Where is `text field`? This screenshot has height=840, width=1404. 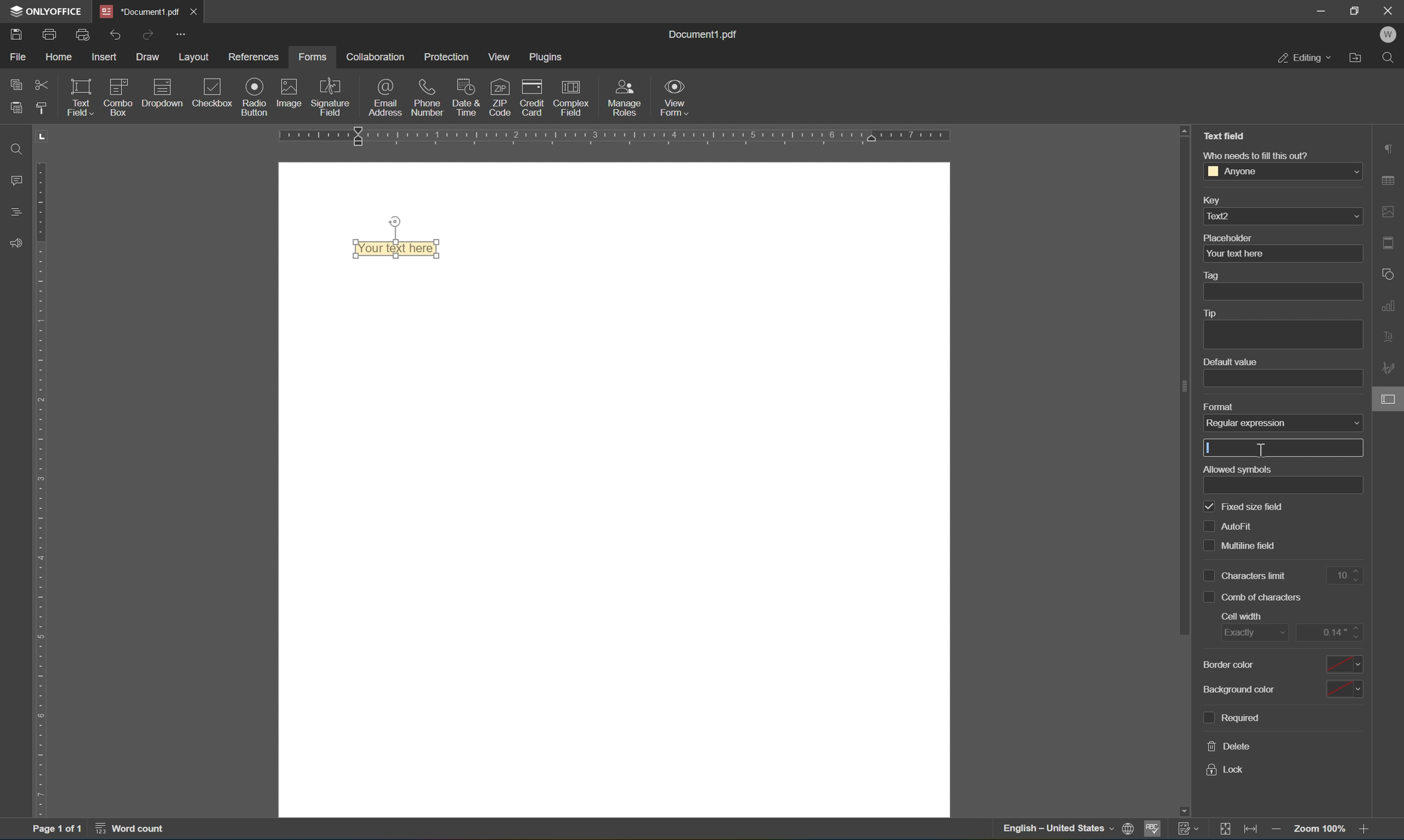 text field is located at coordinates (391, 250).